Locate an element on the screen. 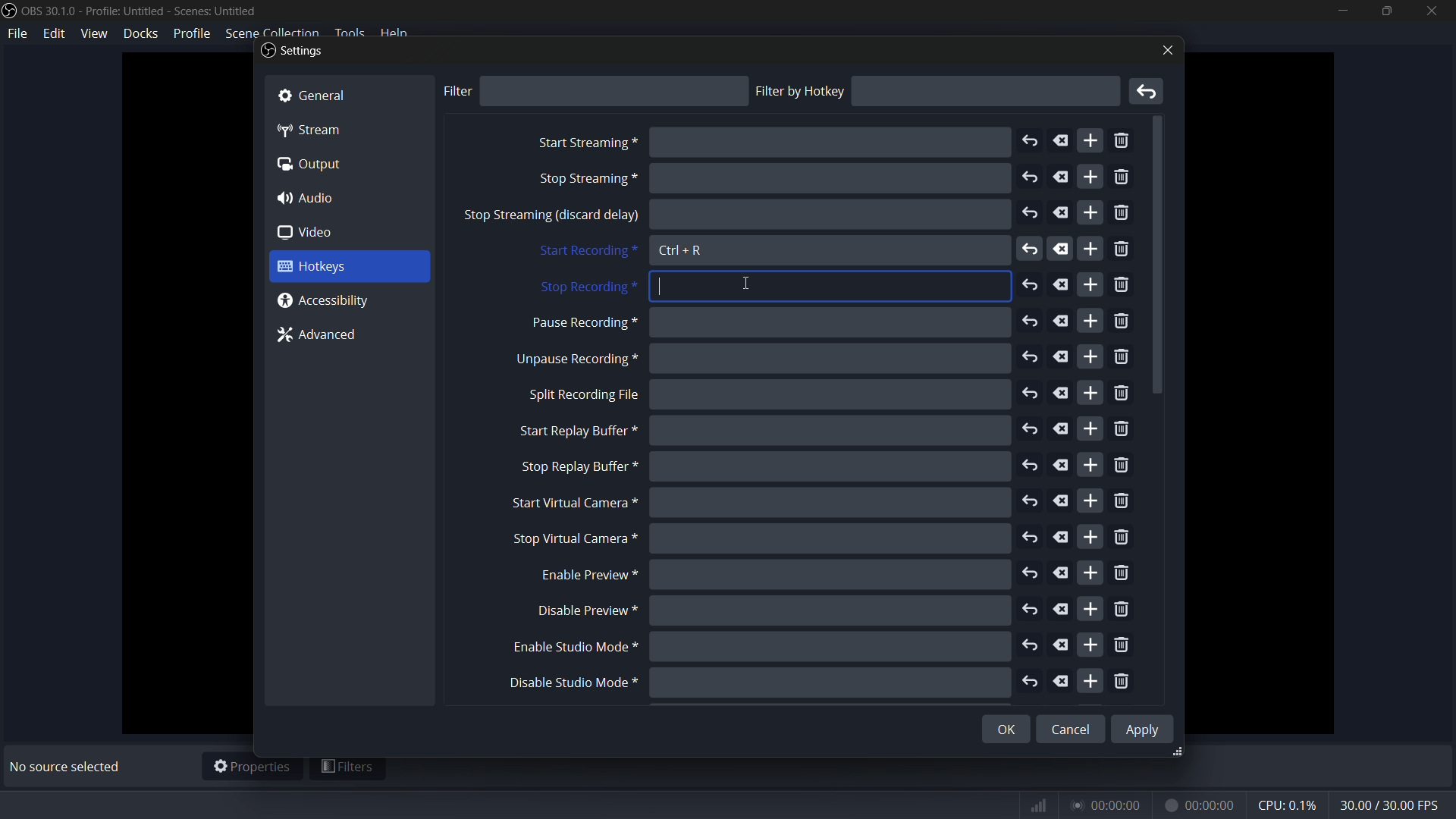  OK is located at coordinates (994, 731).